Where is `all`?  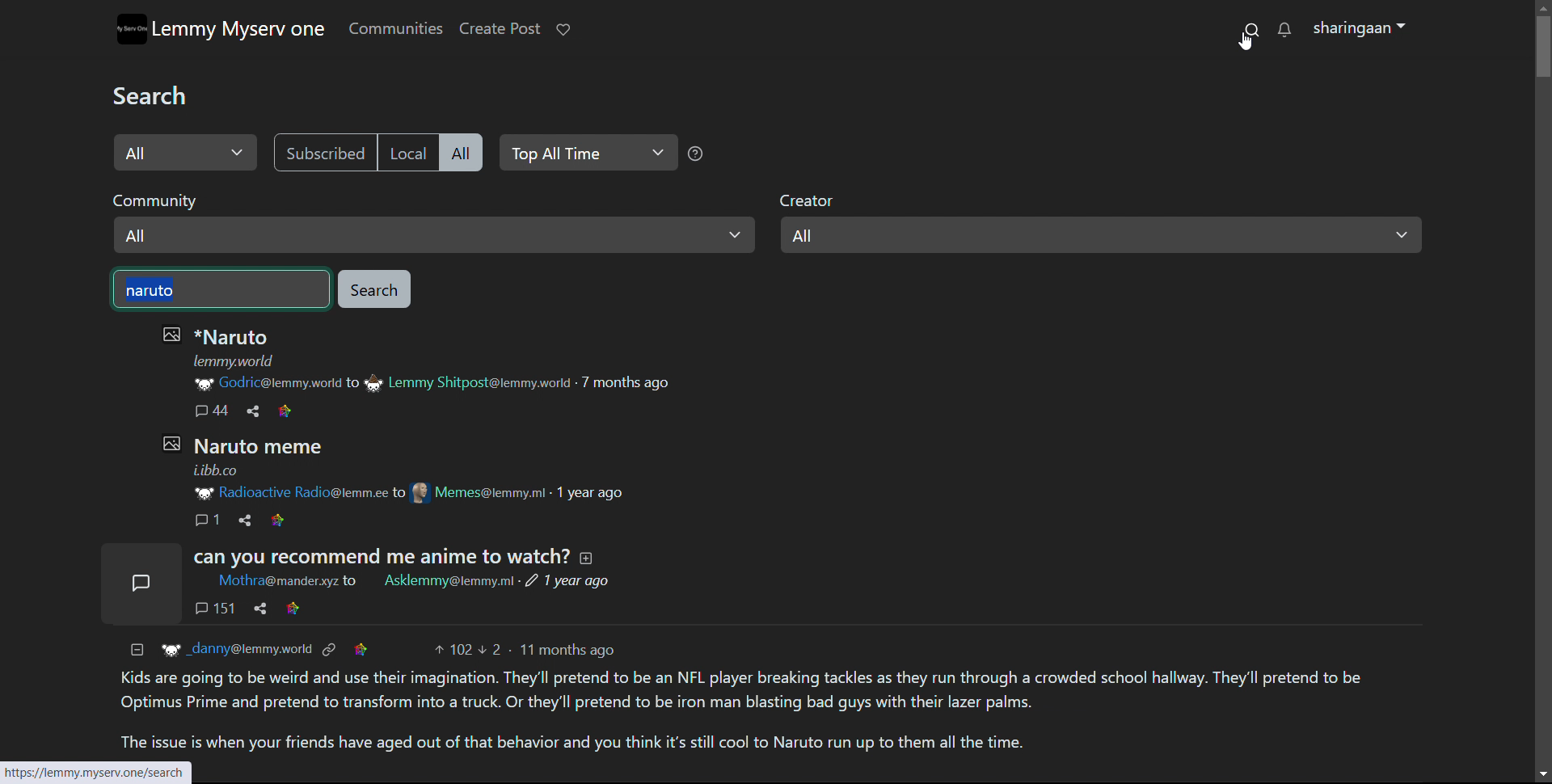
all is located at coordinates (461, 152).